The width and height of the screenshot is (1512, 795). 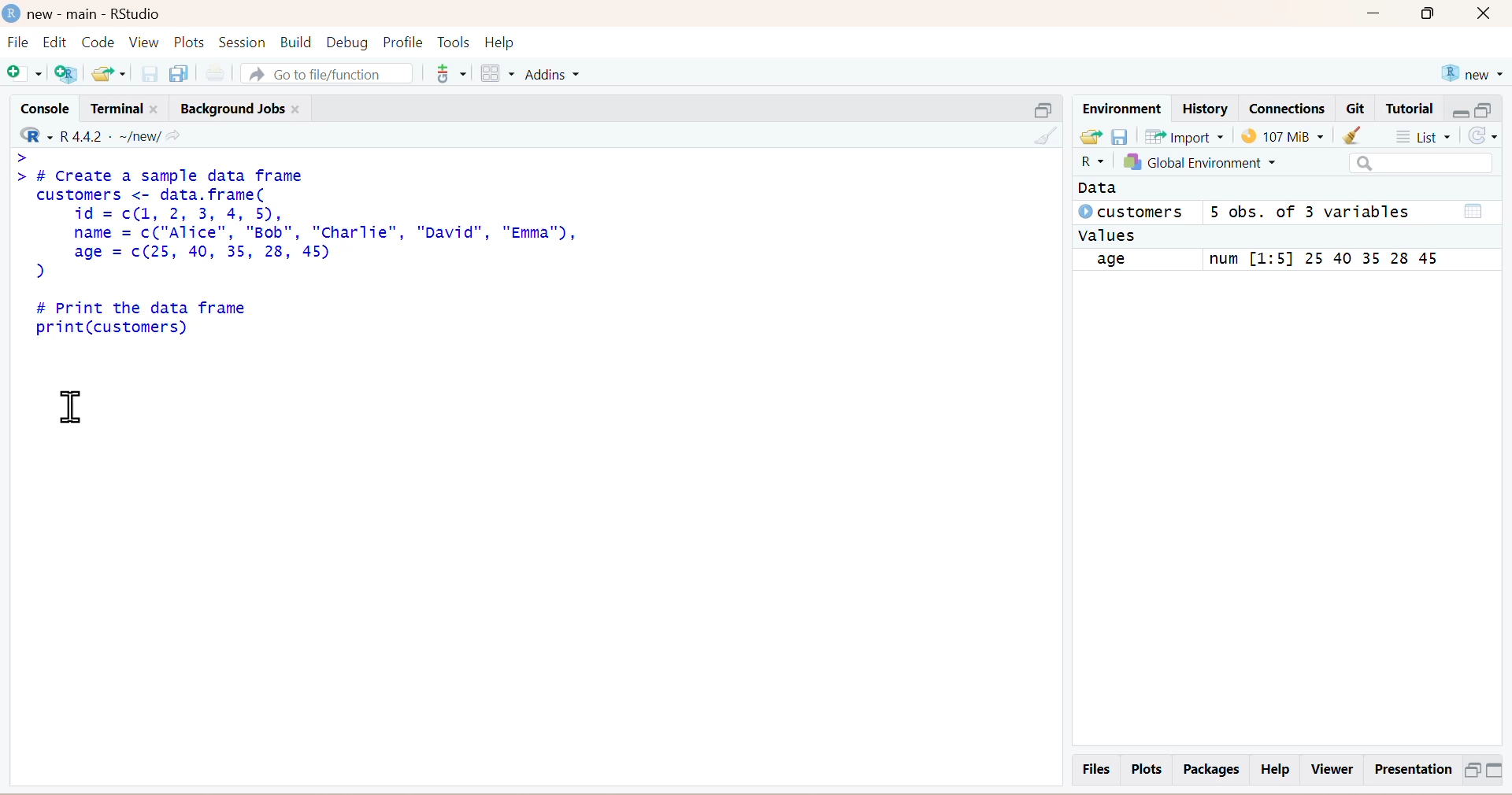 I want to click on Profile, so click(x=401, y=42).